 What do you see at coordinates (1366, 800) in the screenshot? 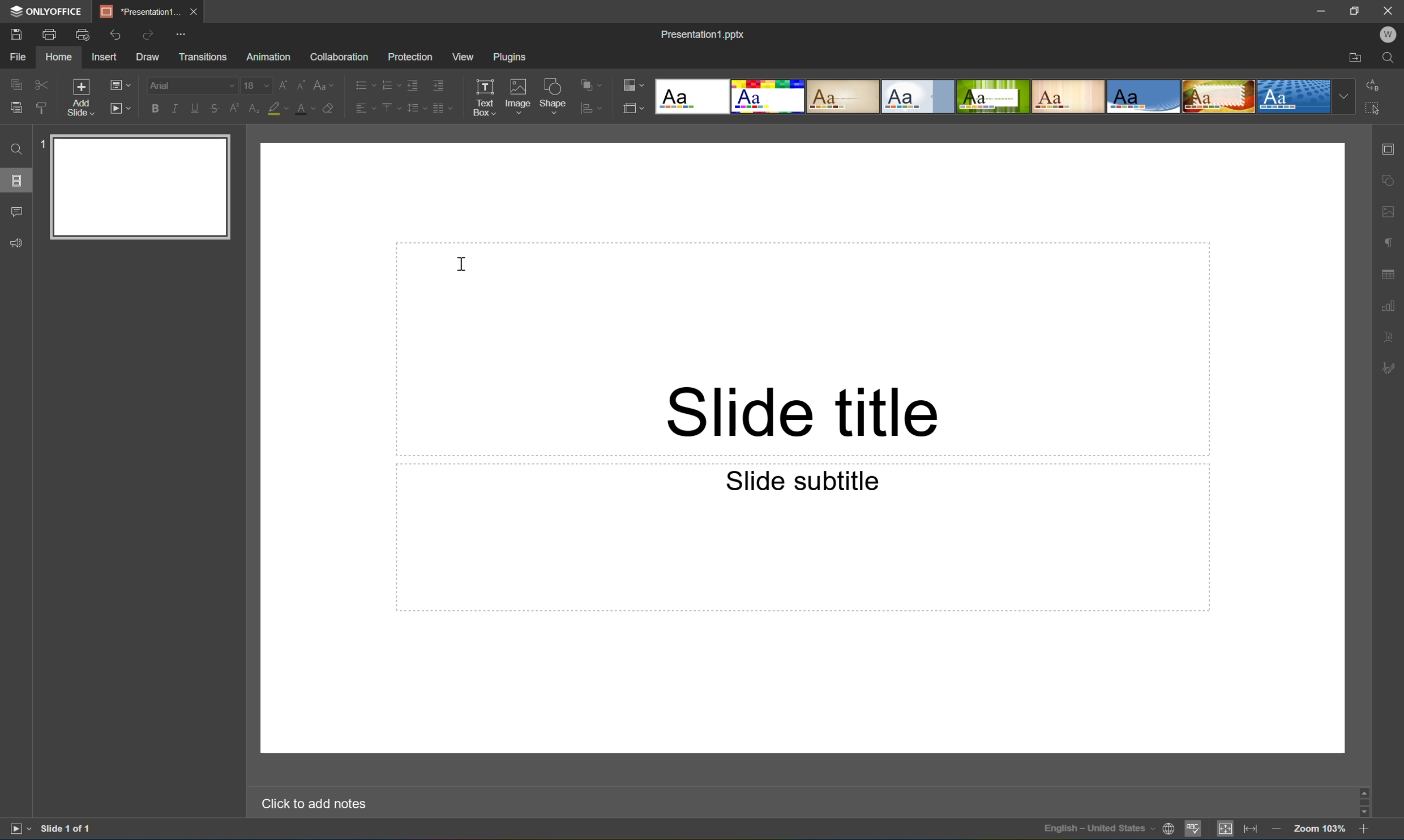
I see `Scroll bar` at bounding box center [1366, 800].